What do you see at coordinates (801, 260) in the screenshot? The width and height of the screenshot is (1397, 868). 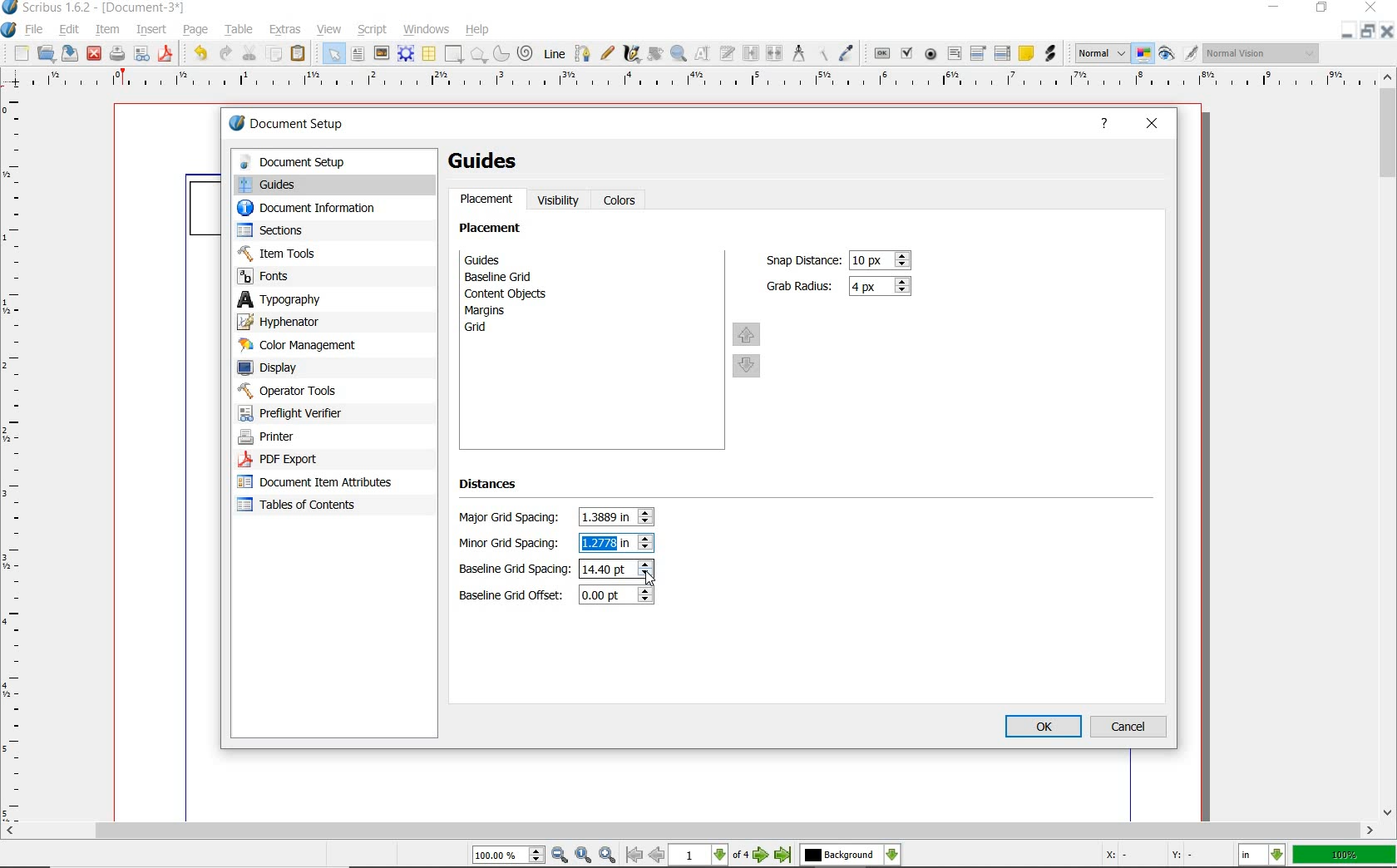 I see `Snap Distance:` at bounding box center [801, 260].